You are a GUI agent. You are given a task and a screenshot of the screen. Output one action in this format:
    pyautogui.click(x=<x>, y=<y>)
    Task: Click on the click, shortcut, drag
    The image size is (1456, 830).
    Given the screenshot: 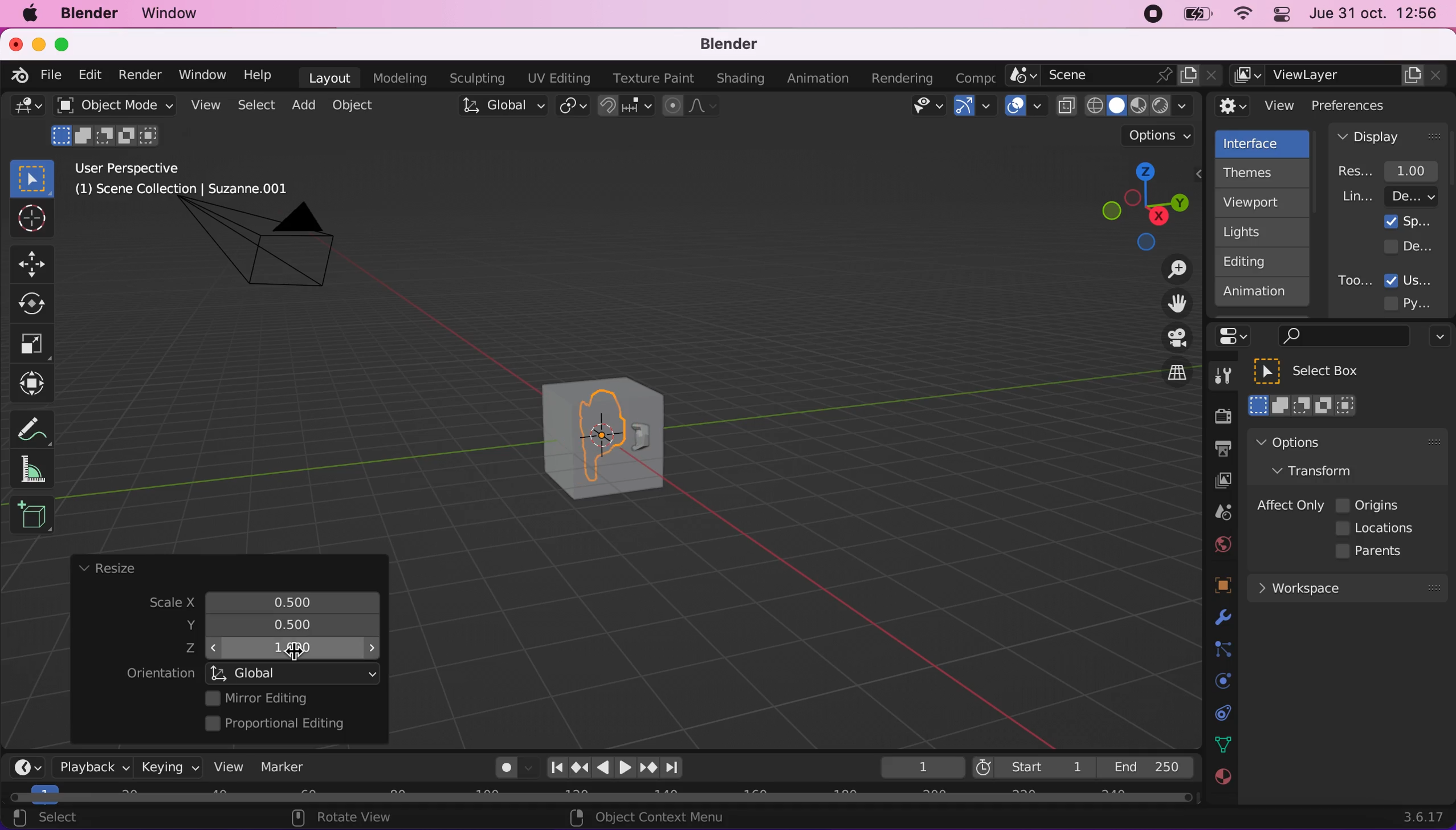 What is the action you would take?
    pyautogui.click(x=1141, y=206)
    